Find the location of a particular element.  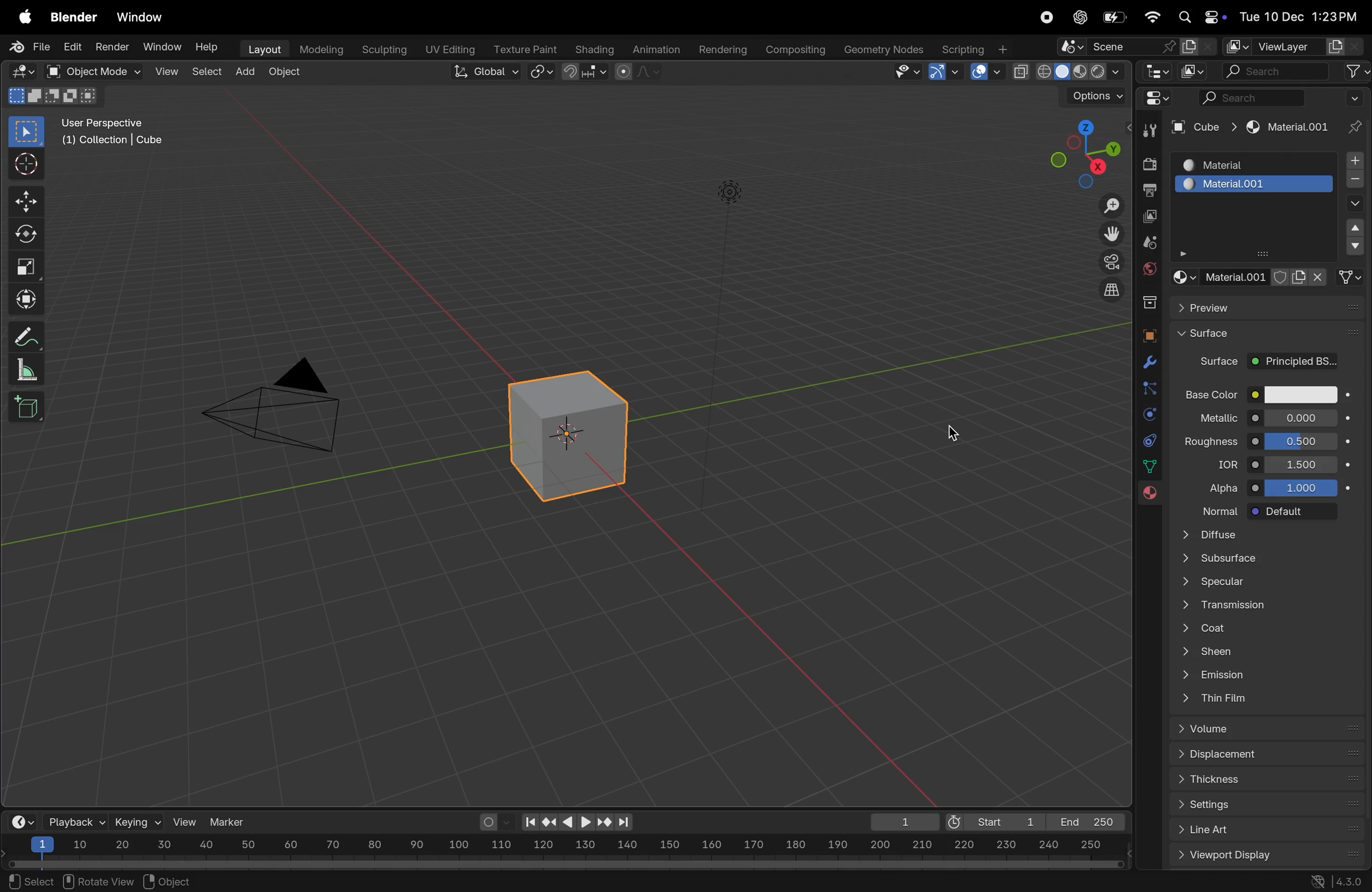

normal is located at coordinates (1213, 510).